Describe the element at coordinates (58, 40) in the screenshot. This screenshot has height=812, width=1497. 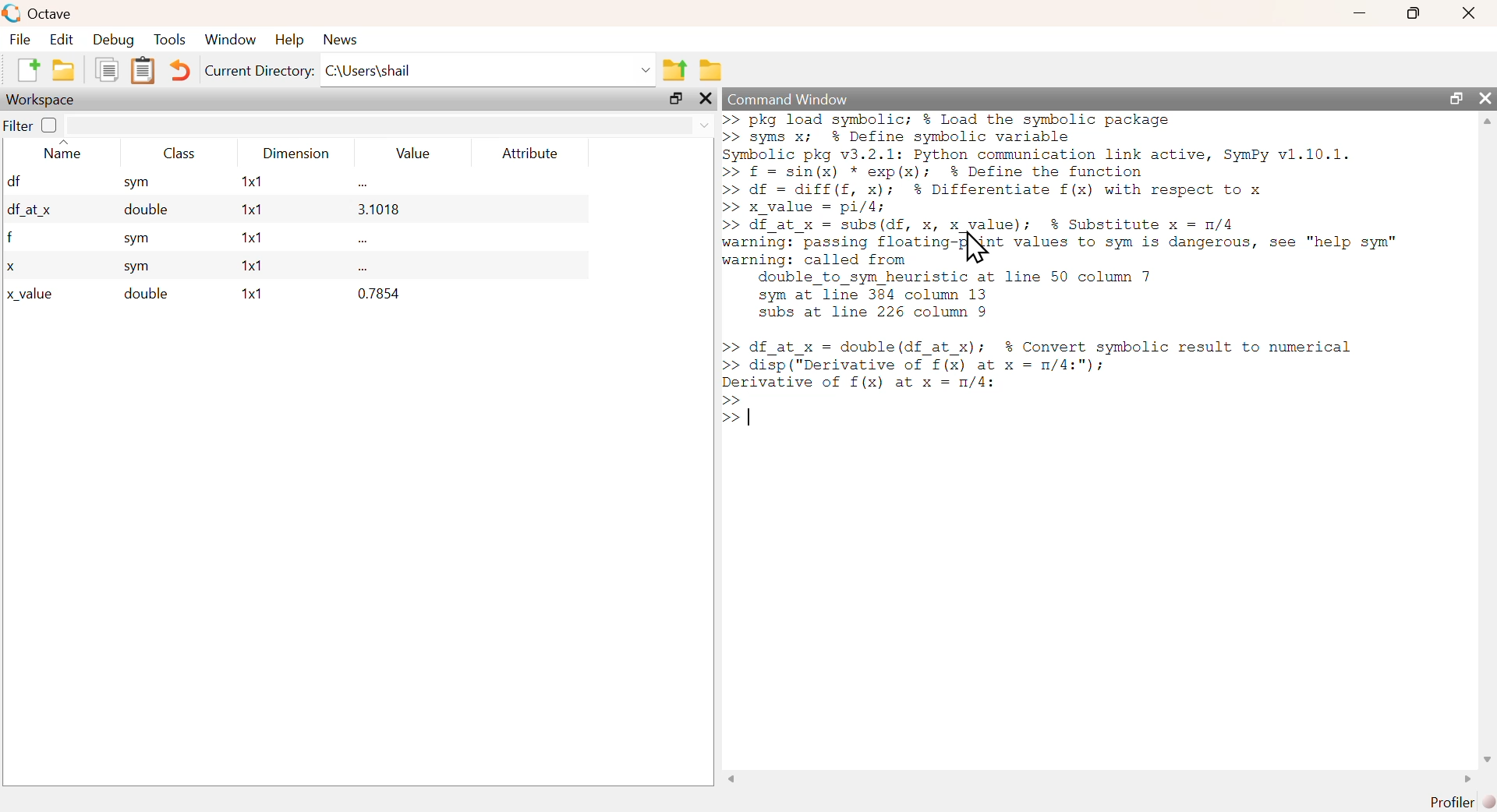
I see `Edit` at that location.